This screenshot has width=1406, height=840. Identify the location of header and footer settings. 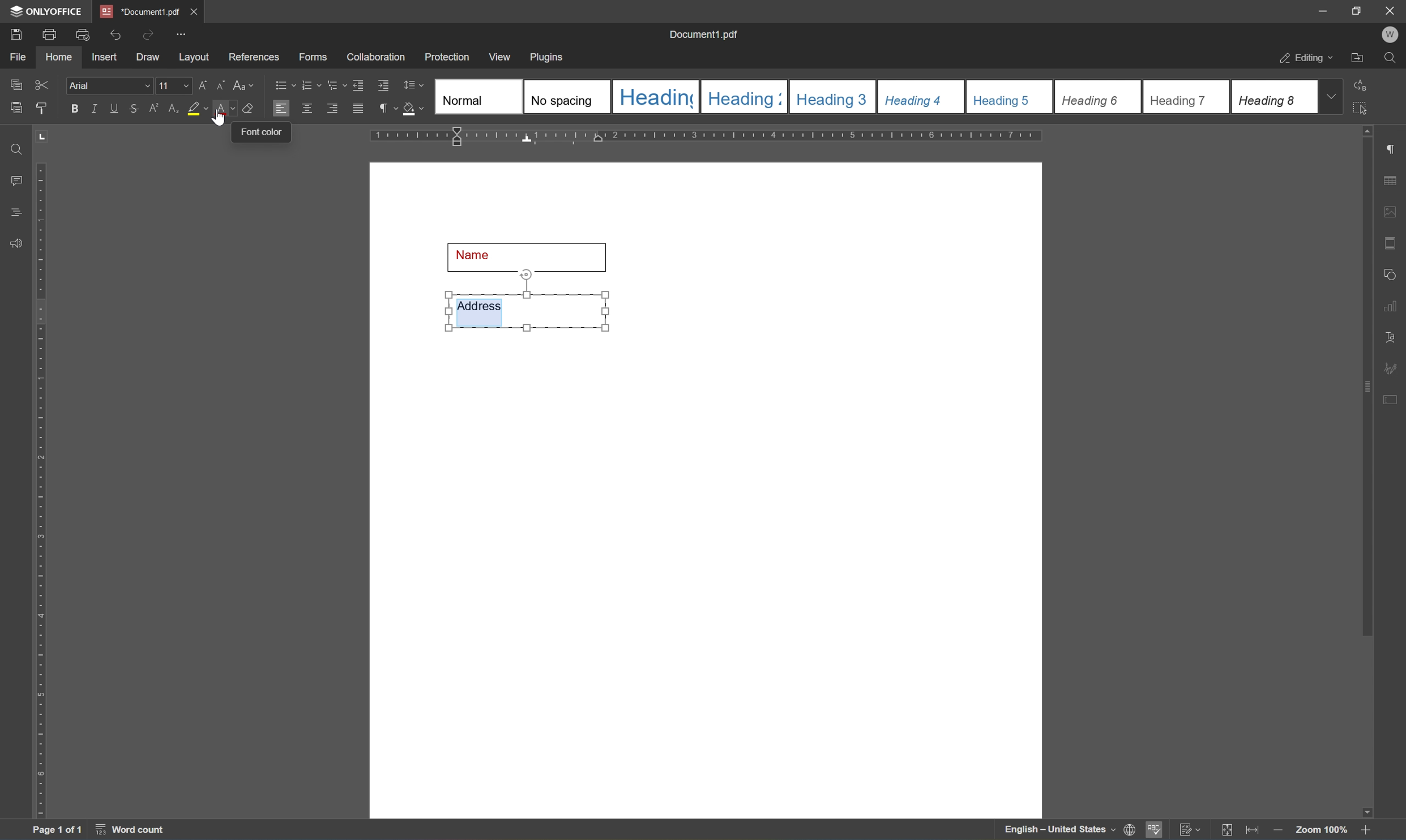
(1390, 242).